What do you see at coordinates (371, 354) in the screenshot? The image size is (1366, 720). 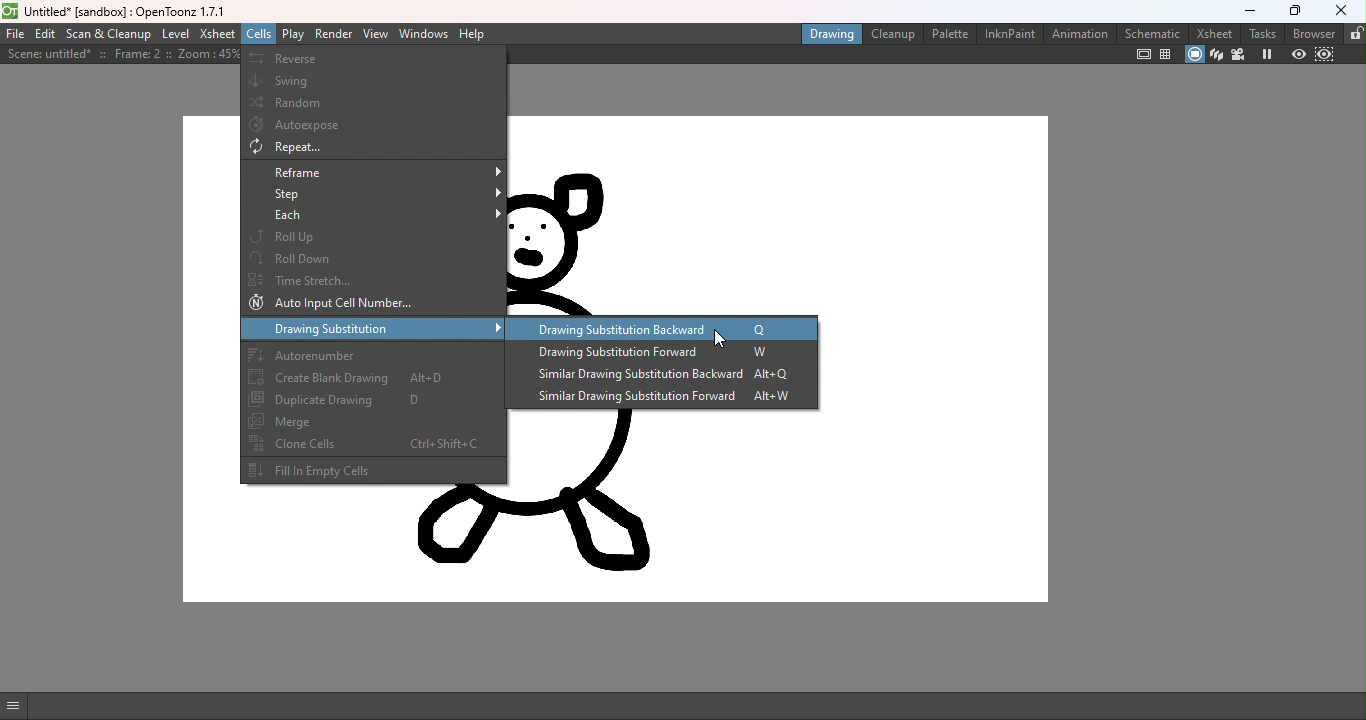 I see `Auto renumber` at bounding box center [371, 354].